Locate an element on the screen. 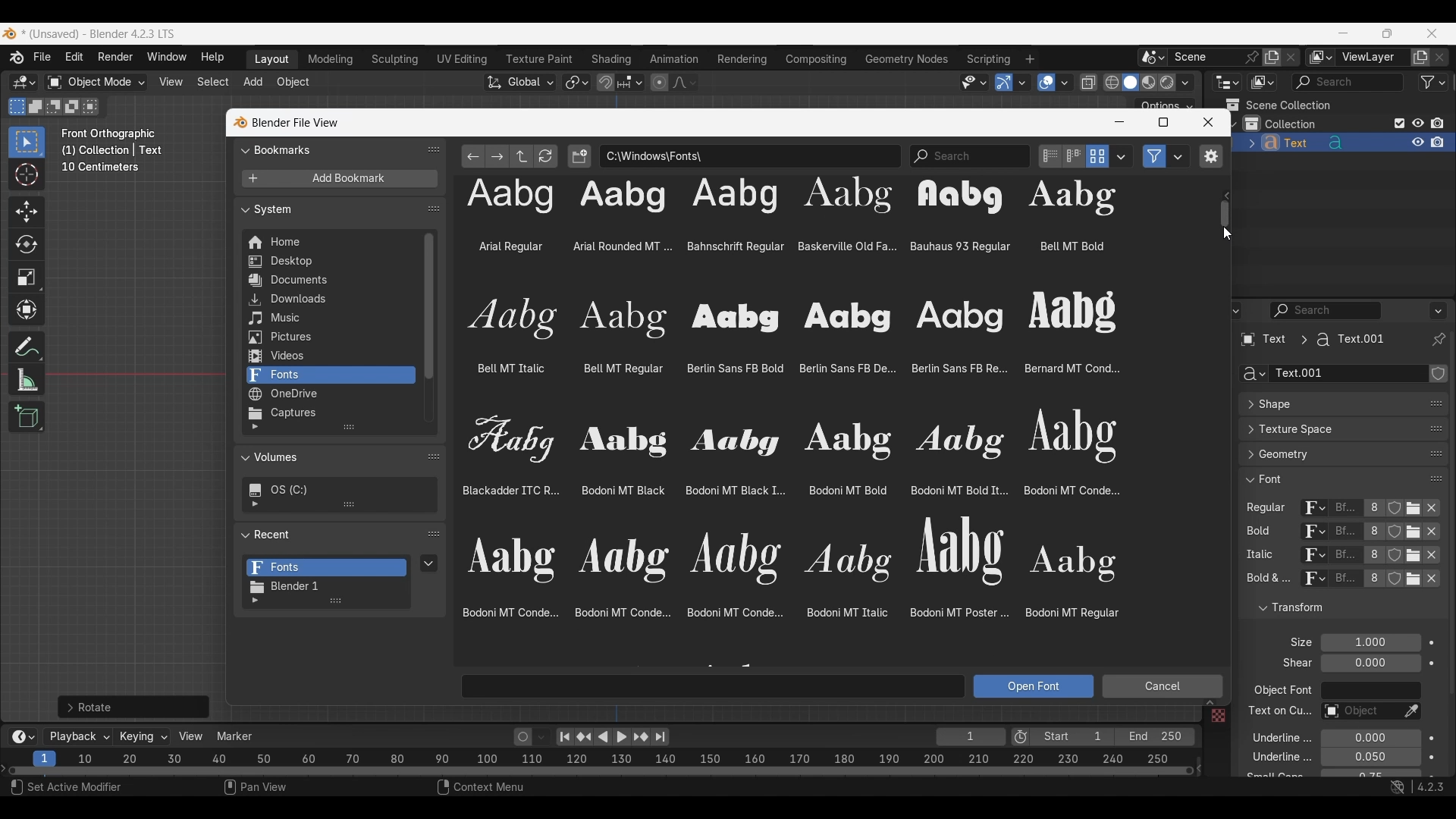  Play animation is located at coordinates (611, 737).